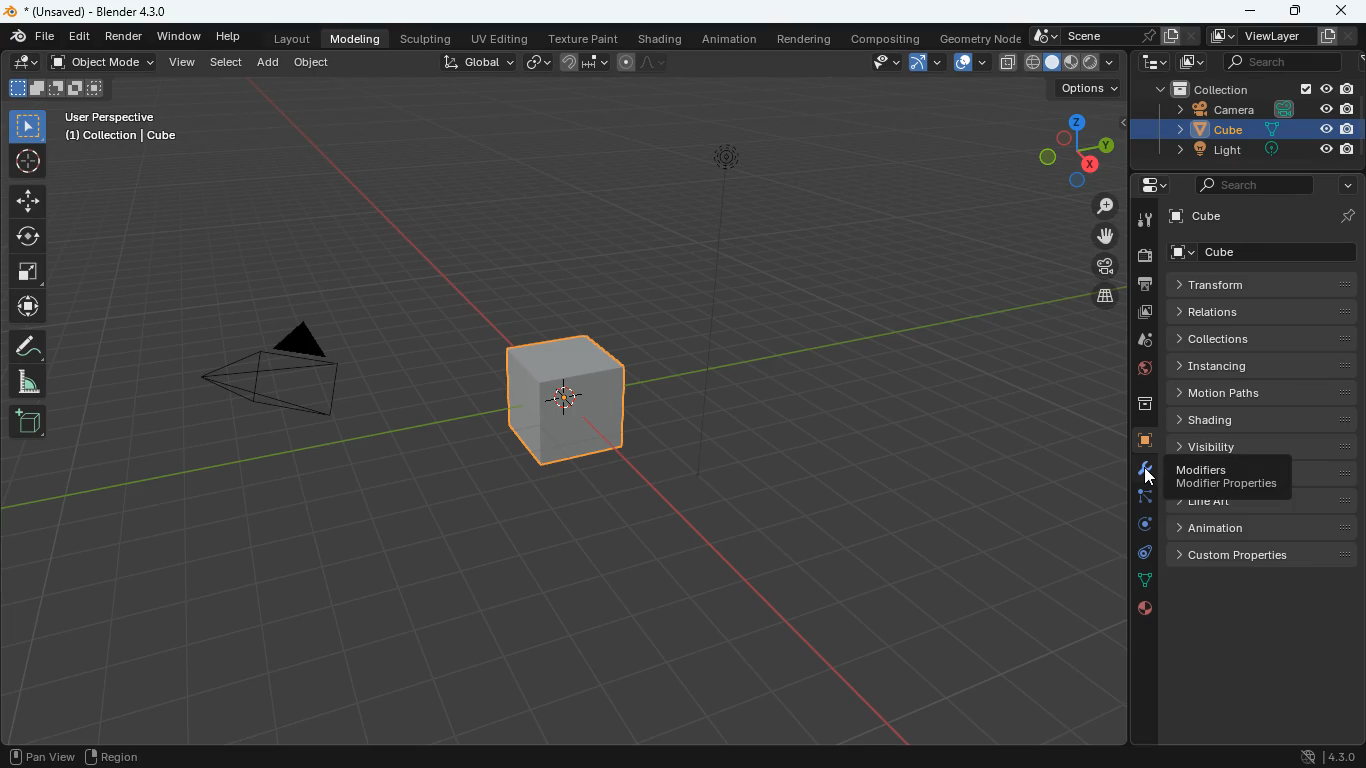  Describe the element at coordinates (124, 128) in the screenshot. I see `user perspective` at that location.